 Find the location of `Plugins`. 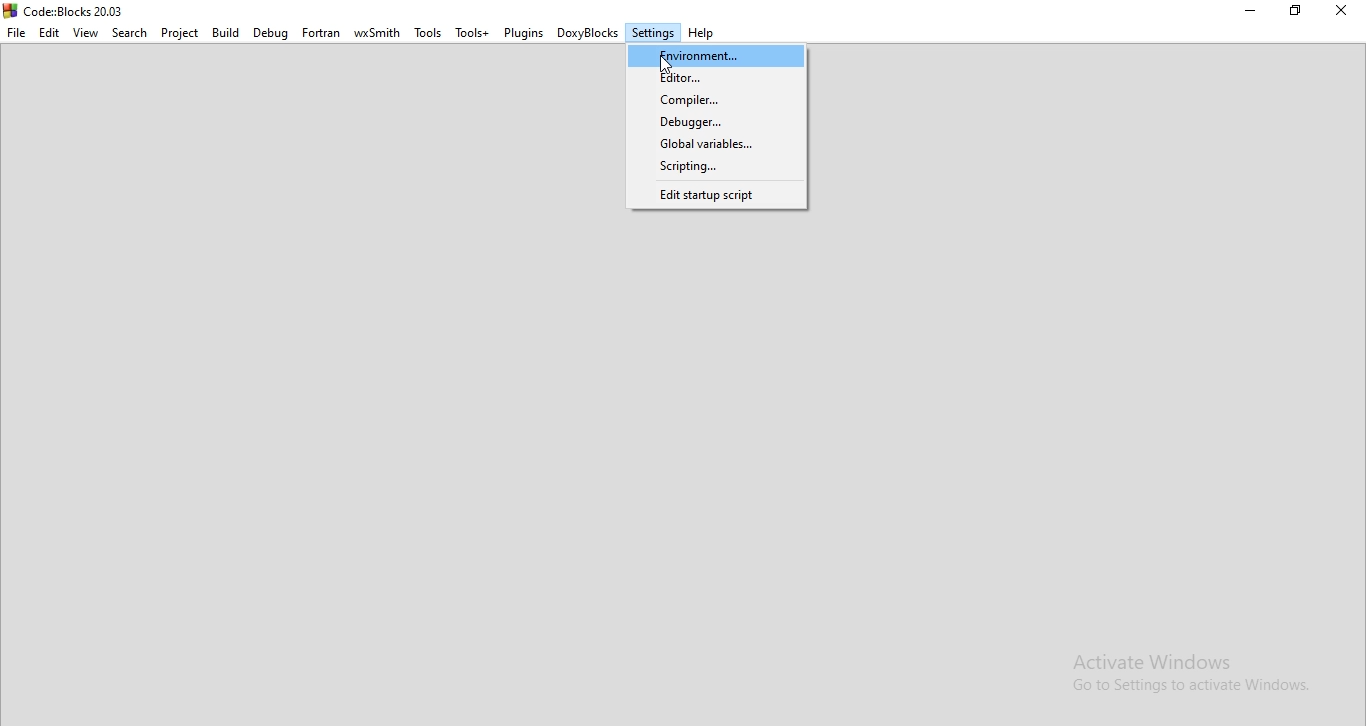

Plugins is located at coordinates (524, 33).